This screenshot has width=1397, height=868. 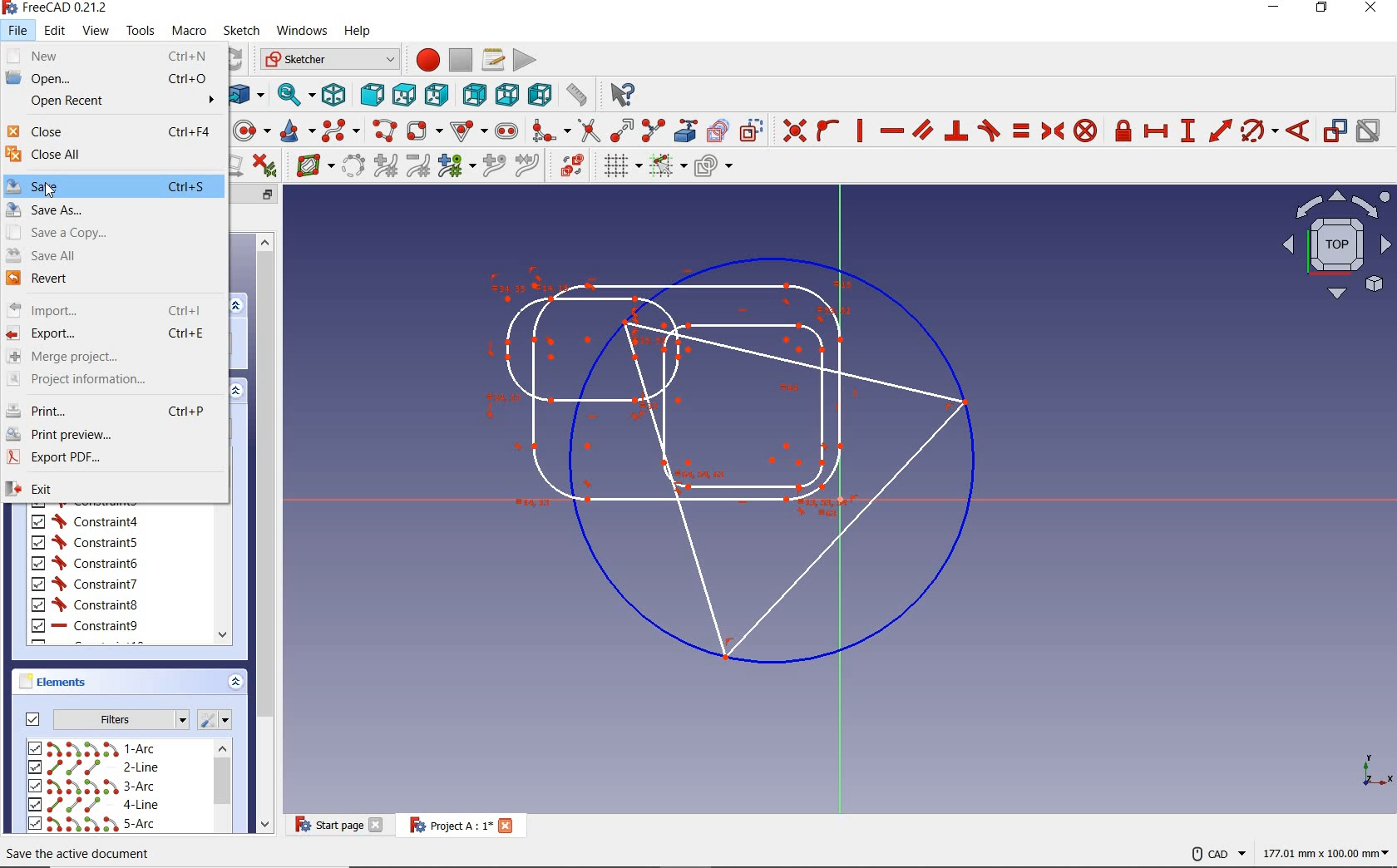 I want to click on merge project, so click(x=114, y=356).